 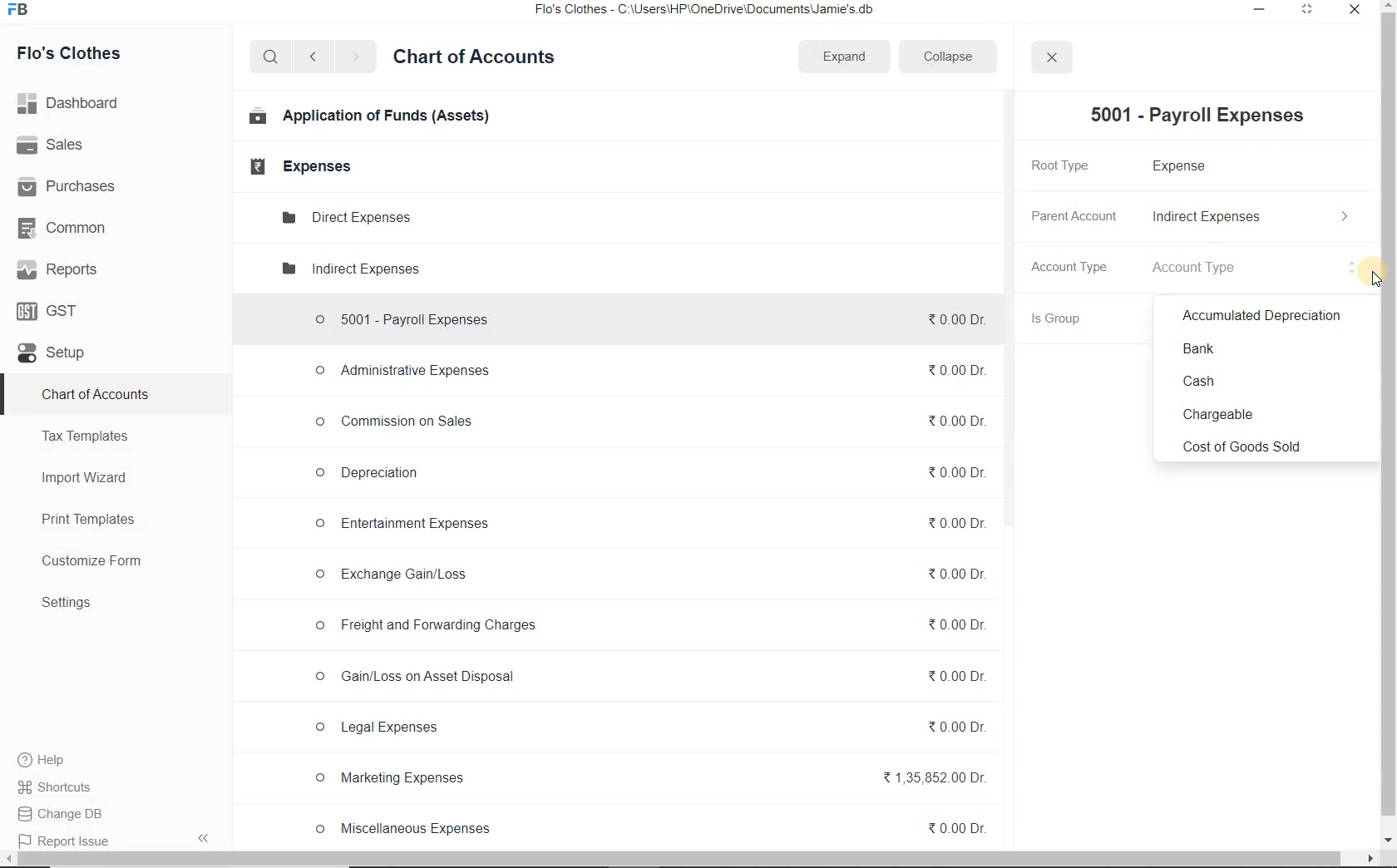 What do you see at coordinates (1049, 57) in the screenshot?
I see `close` at bounding box center [1049, 57].